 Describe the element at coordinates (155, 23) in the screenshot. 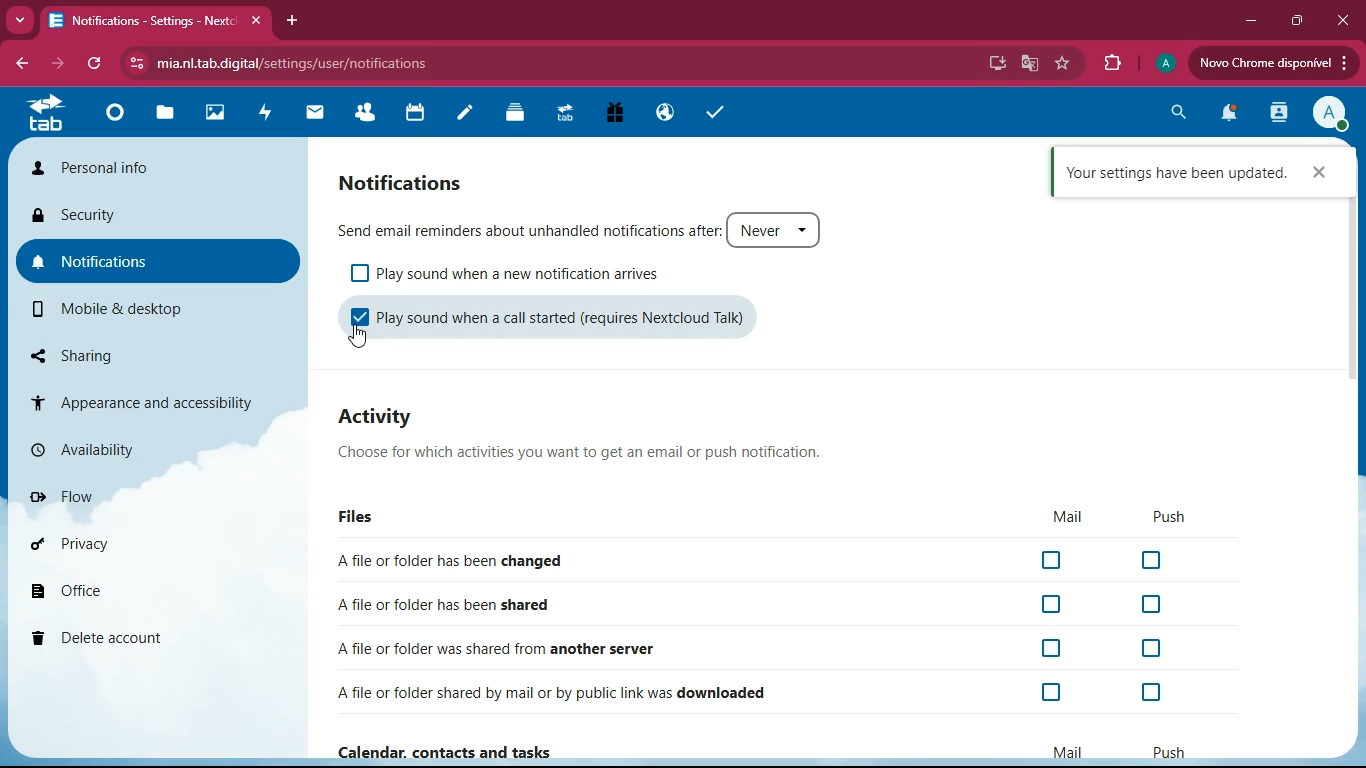

I see `tab` at that location.